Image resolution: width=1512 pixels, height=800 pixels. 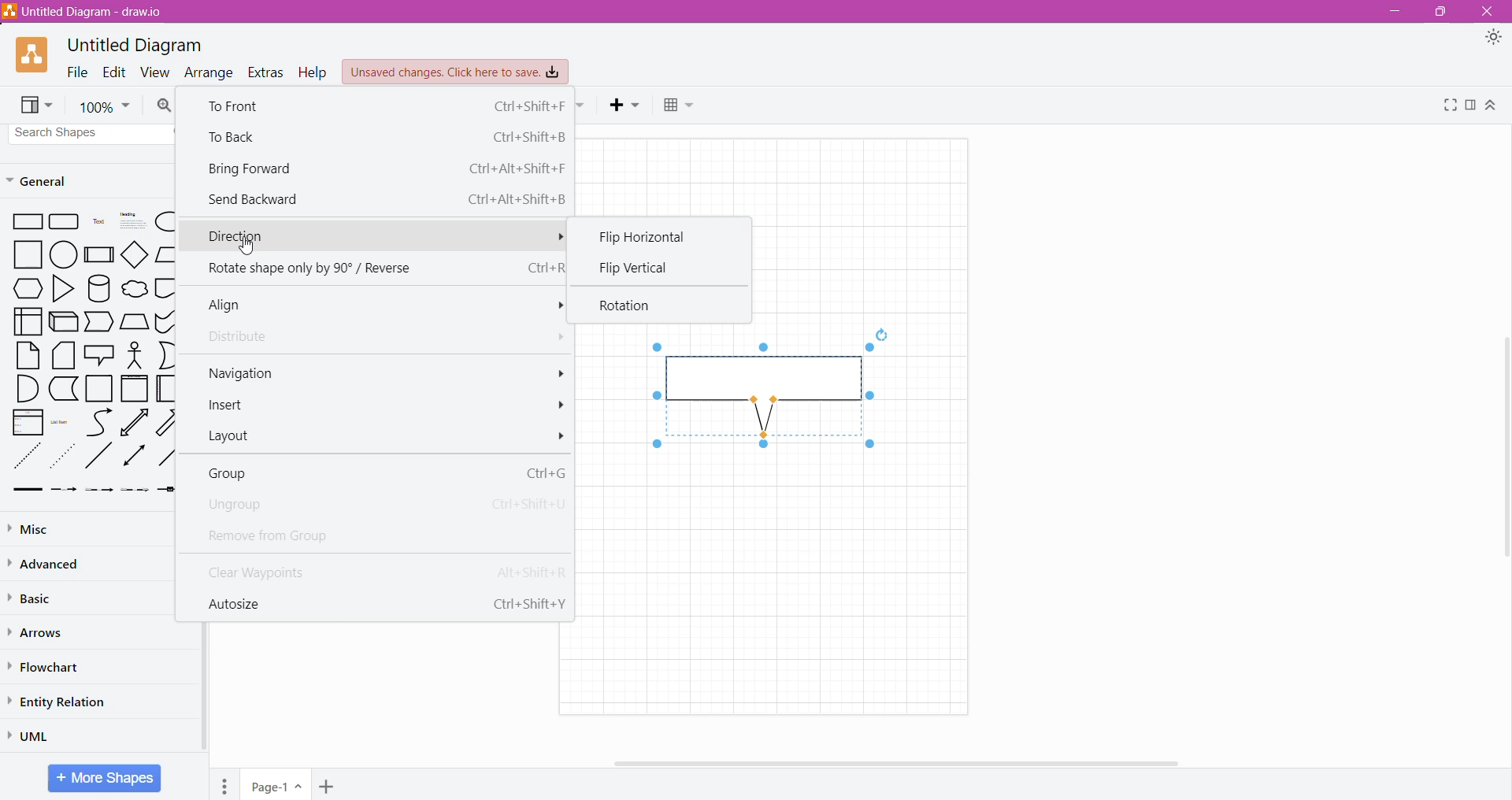 What do you see at coordinates (383, 602) in the screenshot?
I see `Autosize` at bounding box center [383, 602].